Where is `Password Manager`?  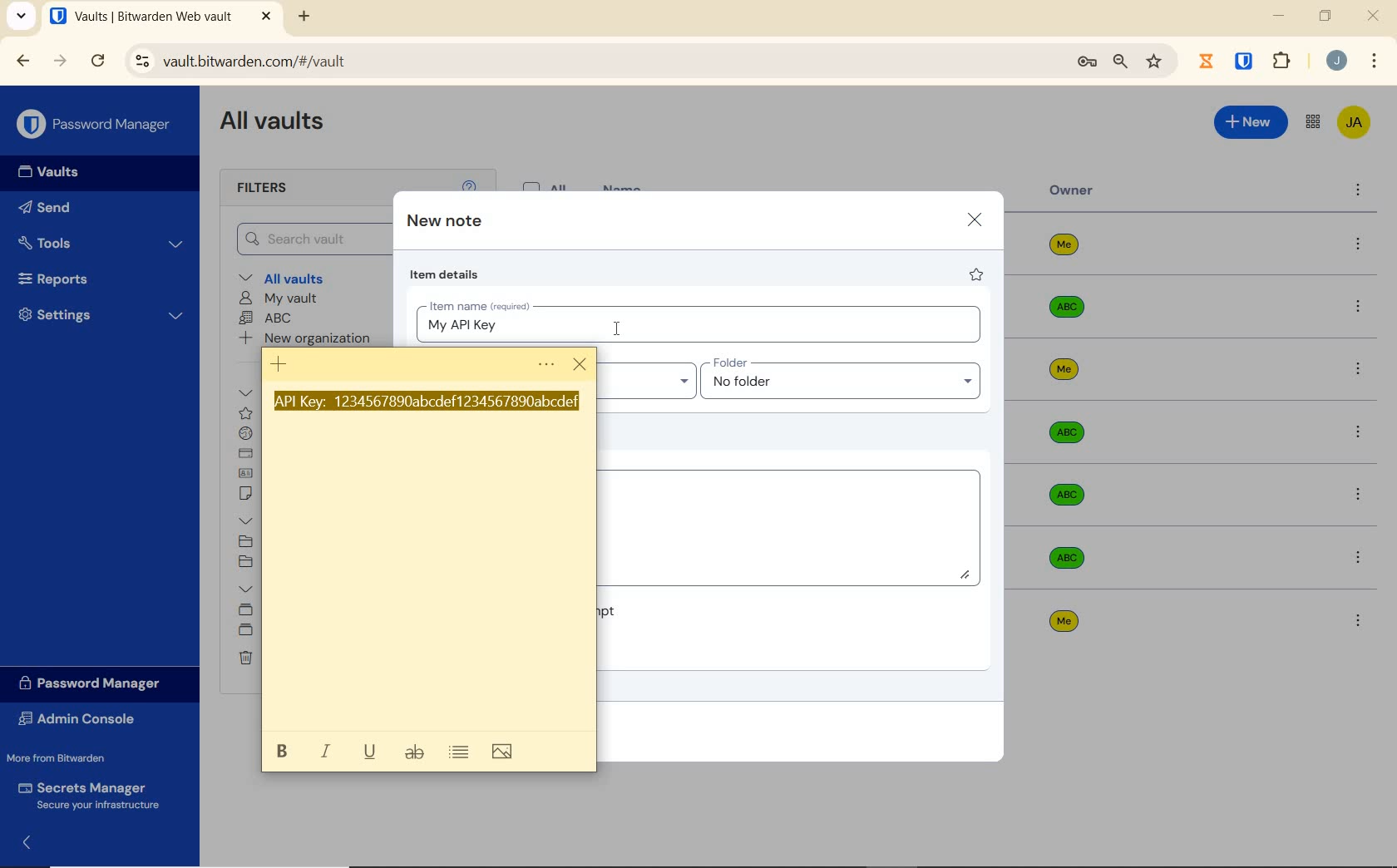 Password Manager is located at coordinates (96, 123).